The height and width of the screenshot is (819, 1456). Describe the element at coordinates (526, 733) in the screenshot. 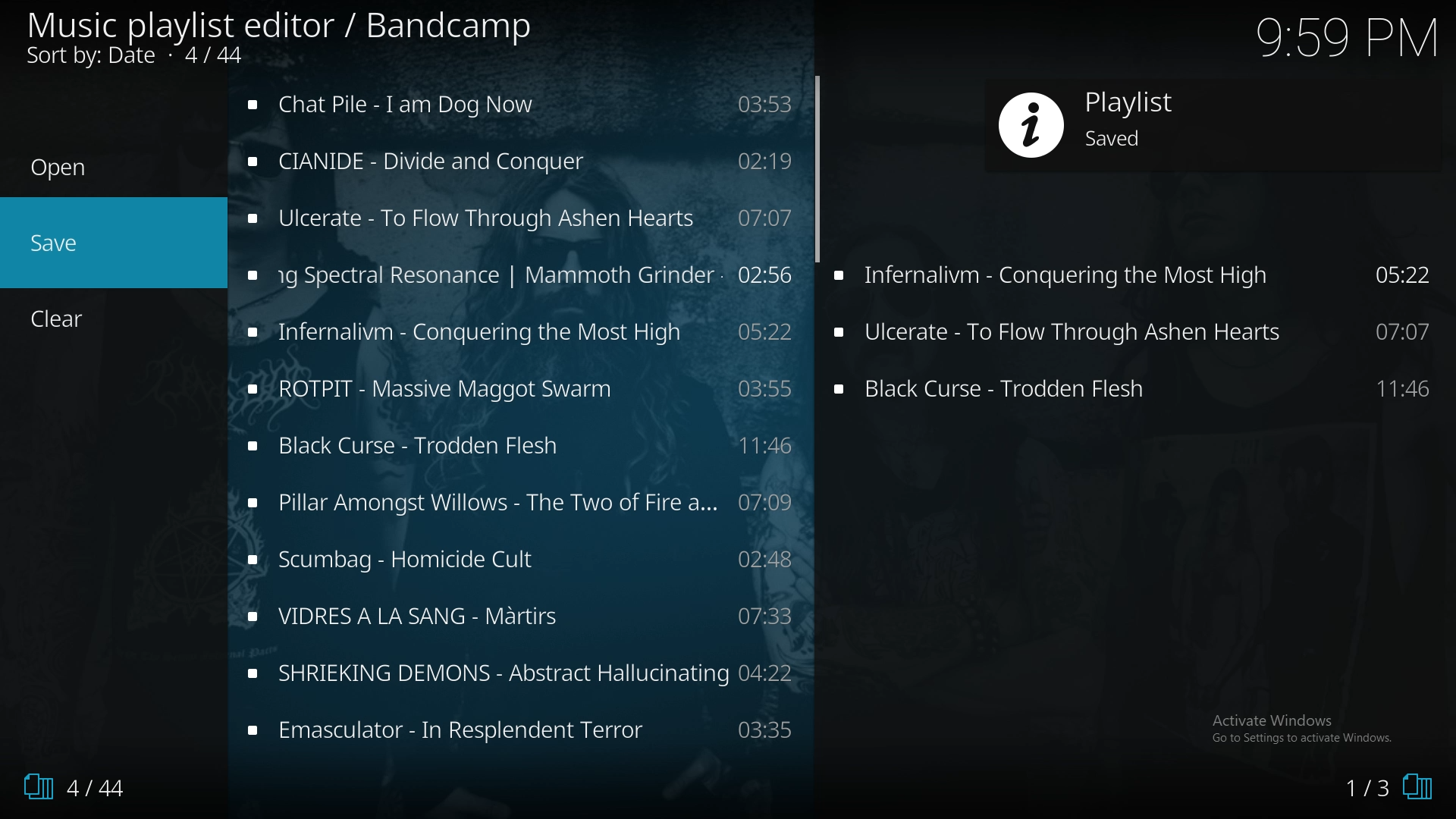

I see `music` at that location.